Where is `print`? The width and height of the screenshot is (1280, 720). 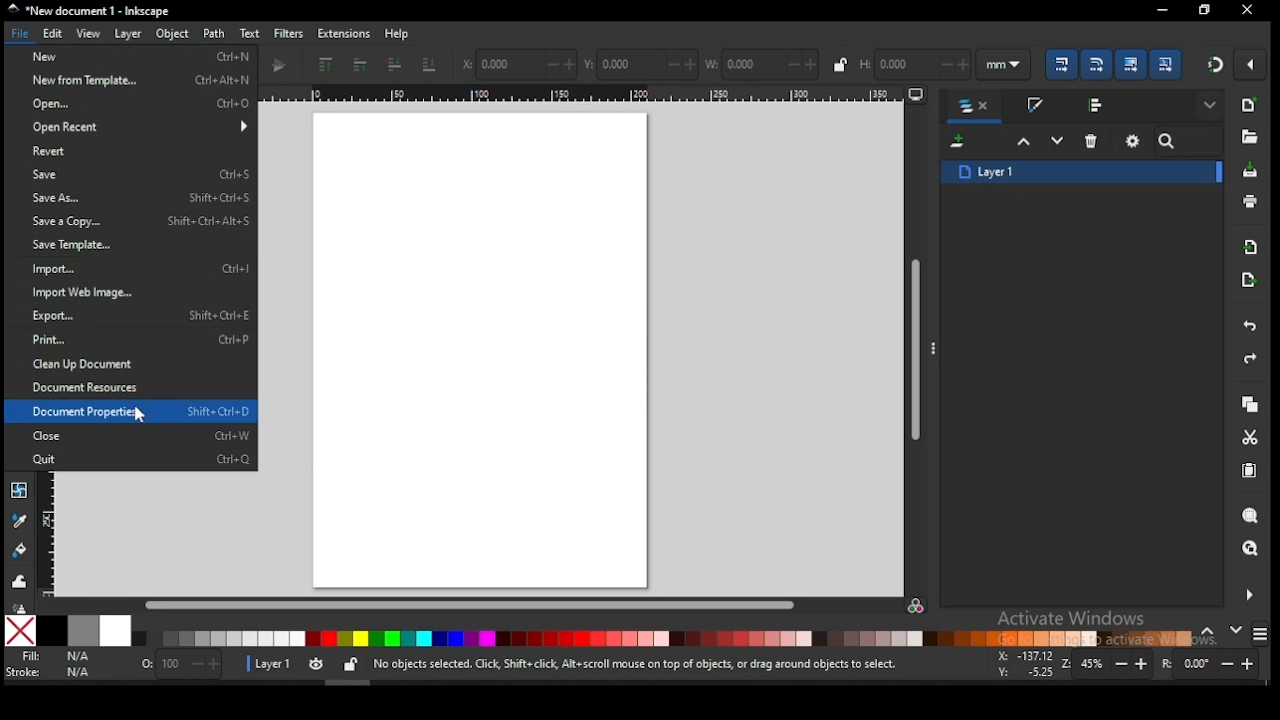 print is located at coordinates (1250, 202).